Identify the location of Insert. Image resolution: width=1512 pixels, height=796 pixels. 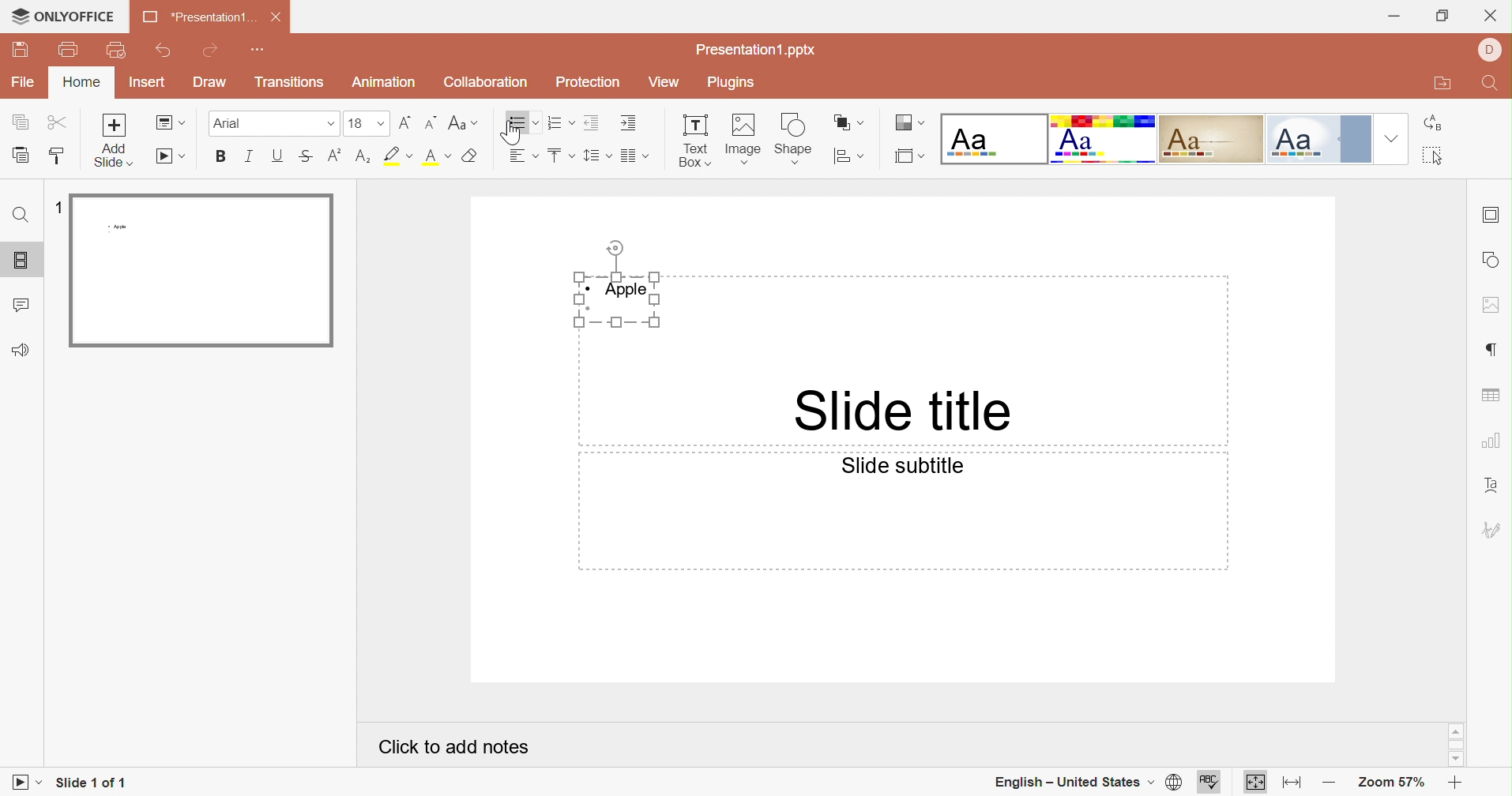
(149, 84).